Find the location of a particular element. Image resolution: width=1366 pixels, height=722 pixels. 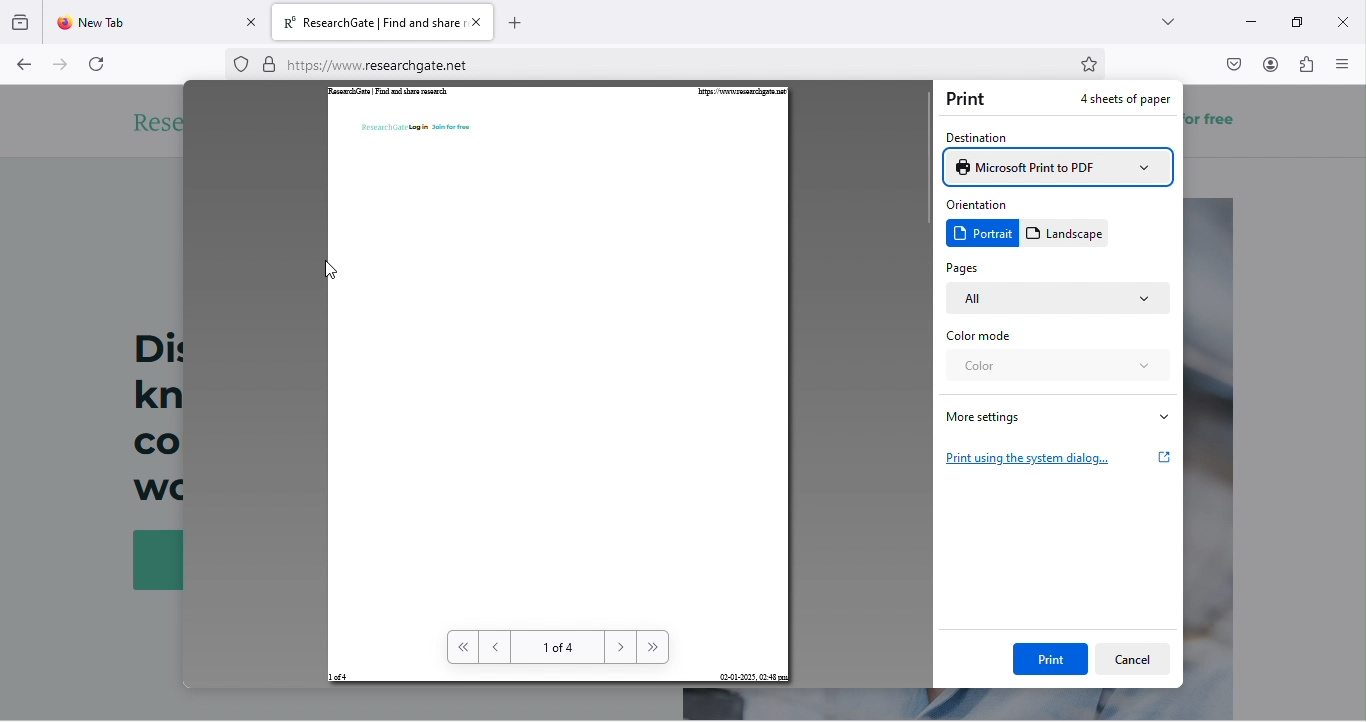

group is located at coordinates (21, 24).